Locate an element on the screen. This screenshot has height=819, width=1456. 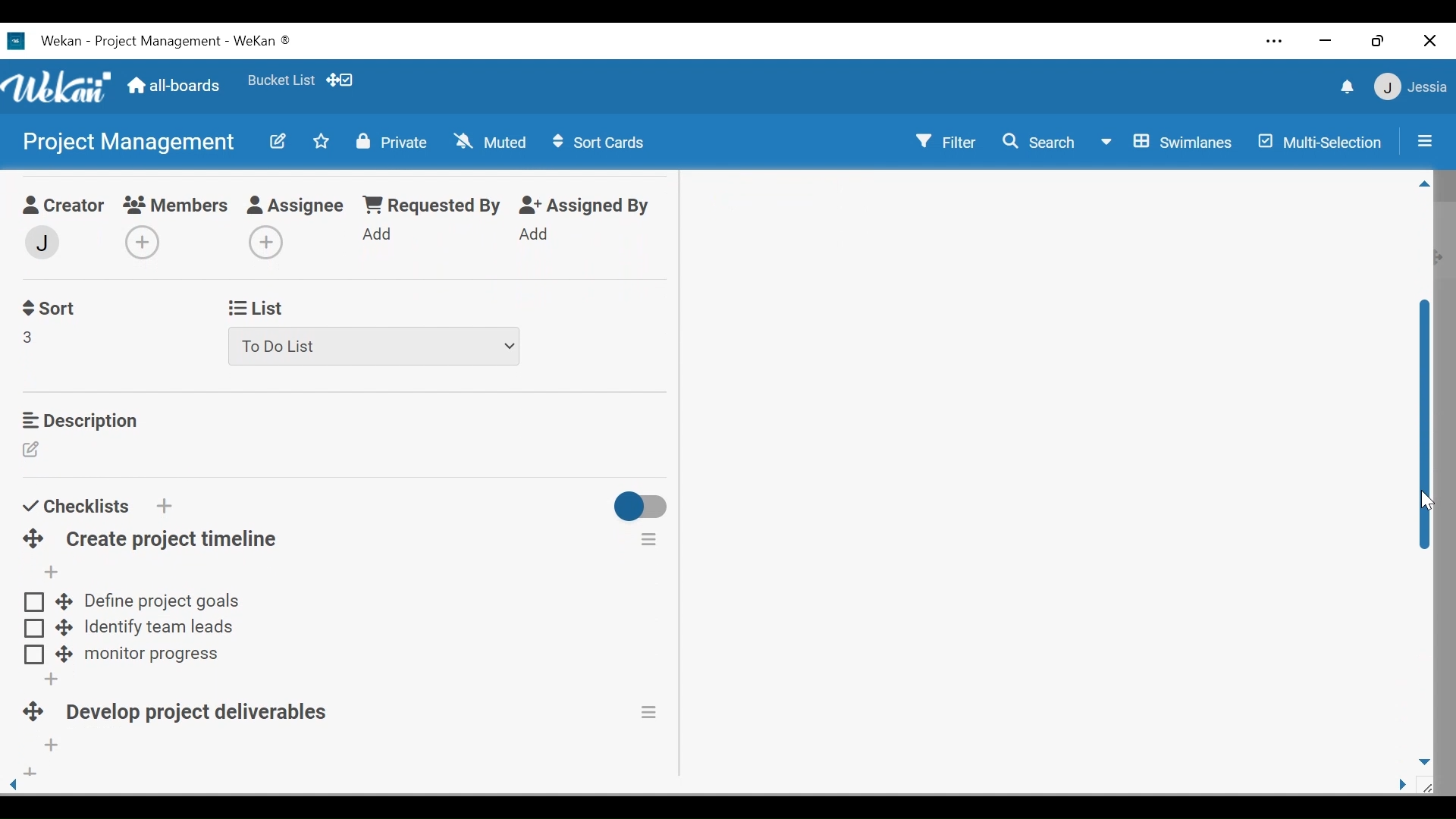
member is located at coordinates (40, 243).